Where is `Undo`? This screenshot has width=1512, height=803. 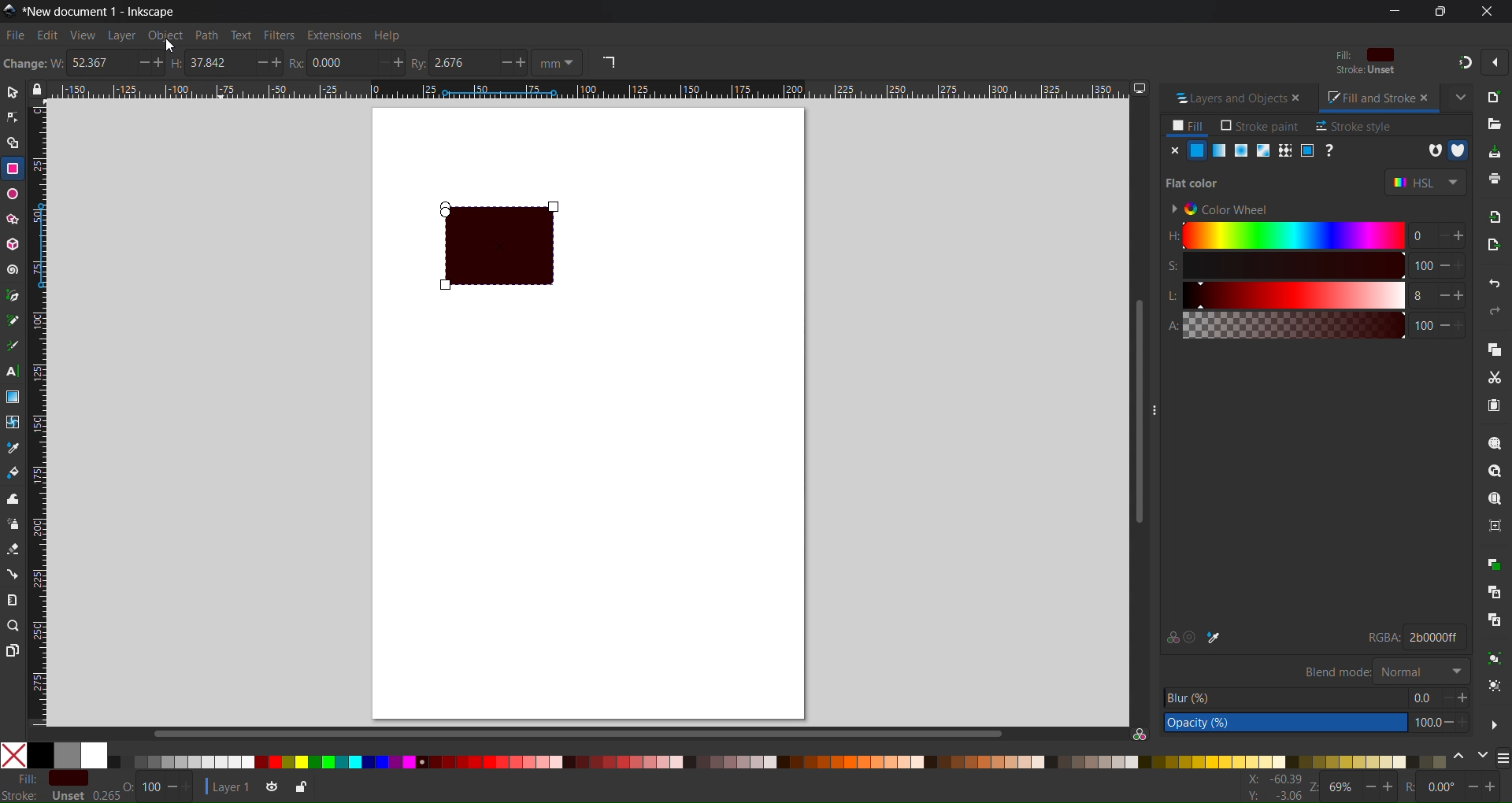 Undo is located at coordinates (1496, 286).